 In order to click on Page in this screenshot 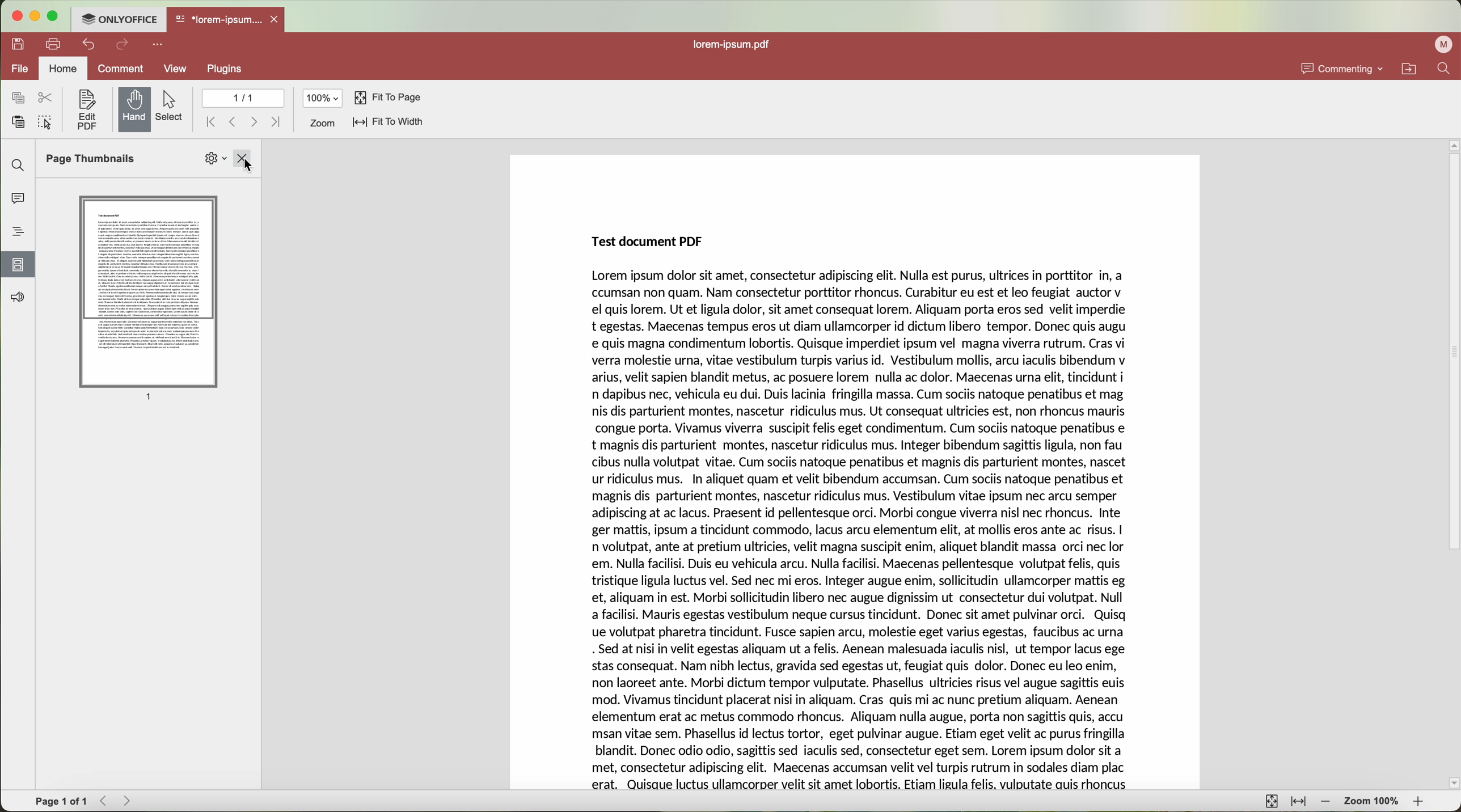, I will do `click(148, 291)`.